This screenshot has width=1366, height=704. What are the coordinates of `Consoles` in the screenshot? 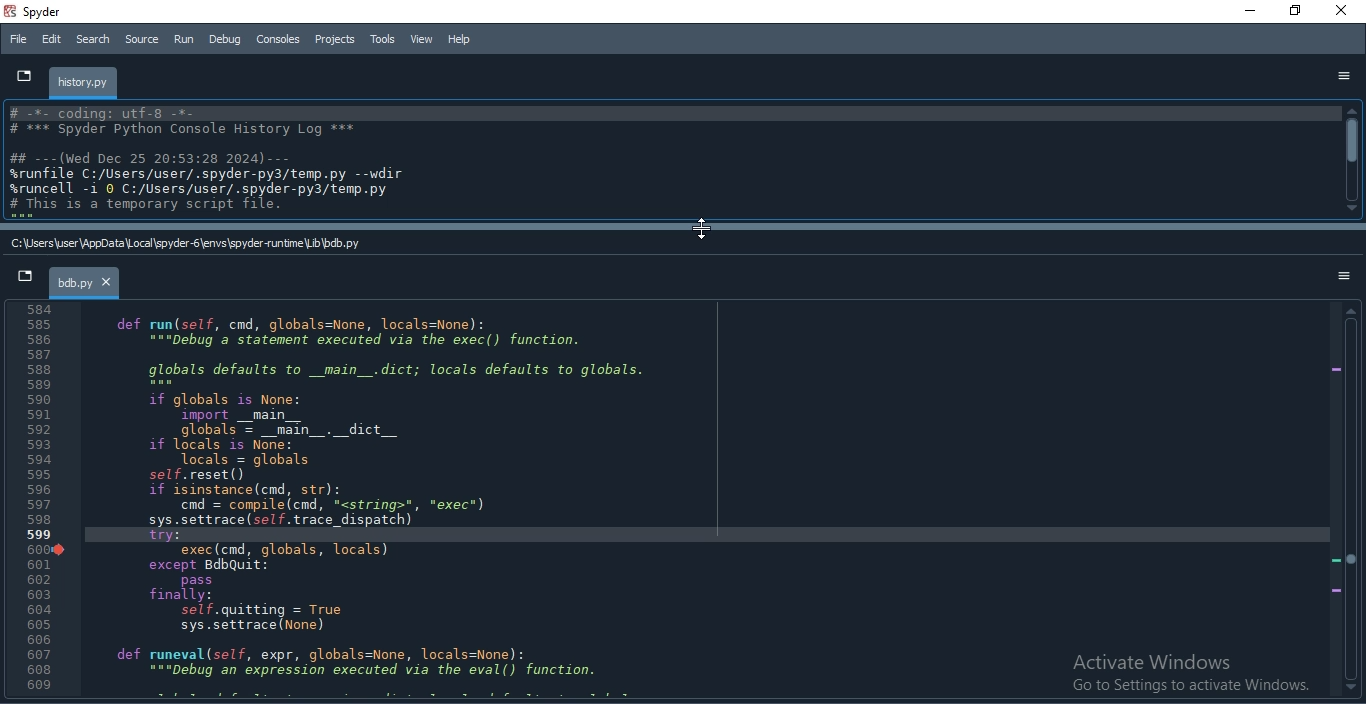 It's located at (279, 38).